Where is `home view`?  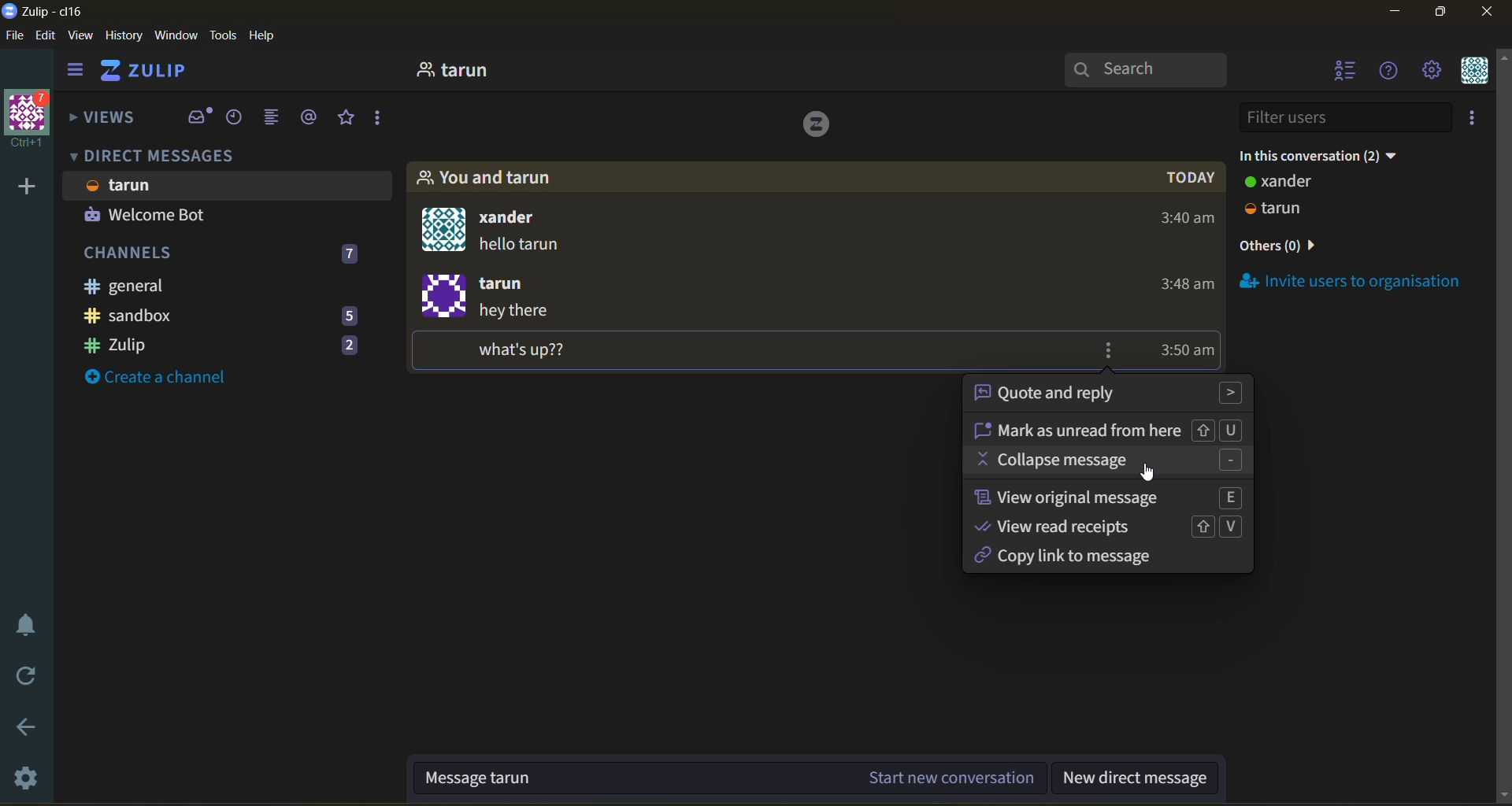
home view is located at coordinates (166, 72).